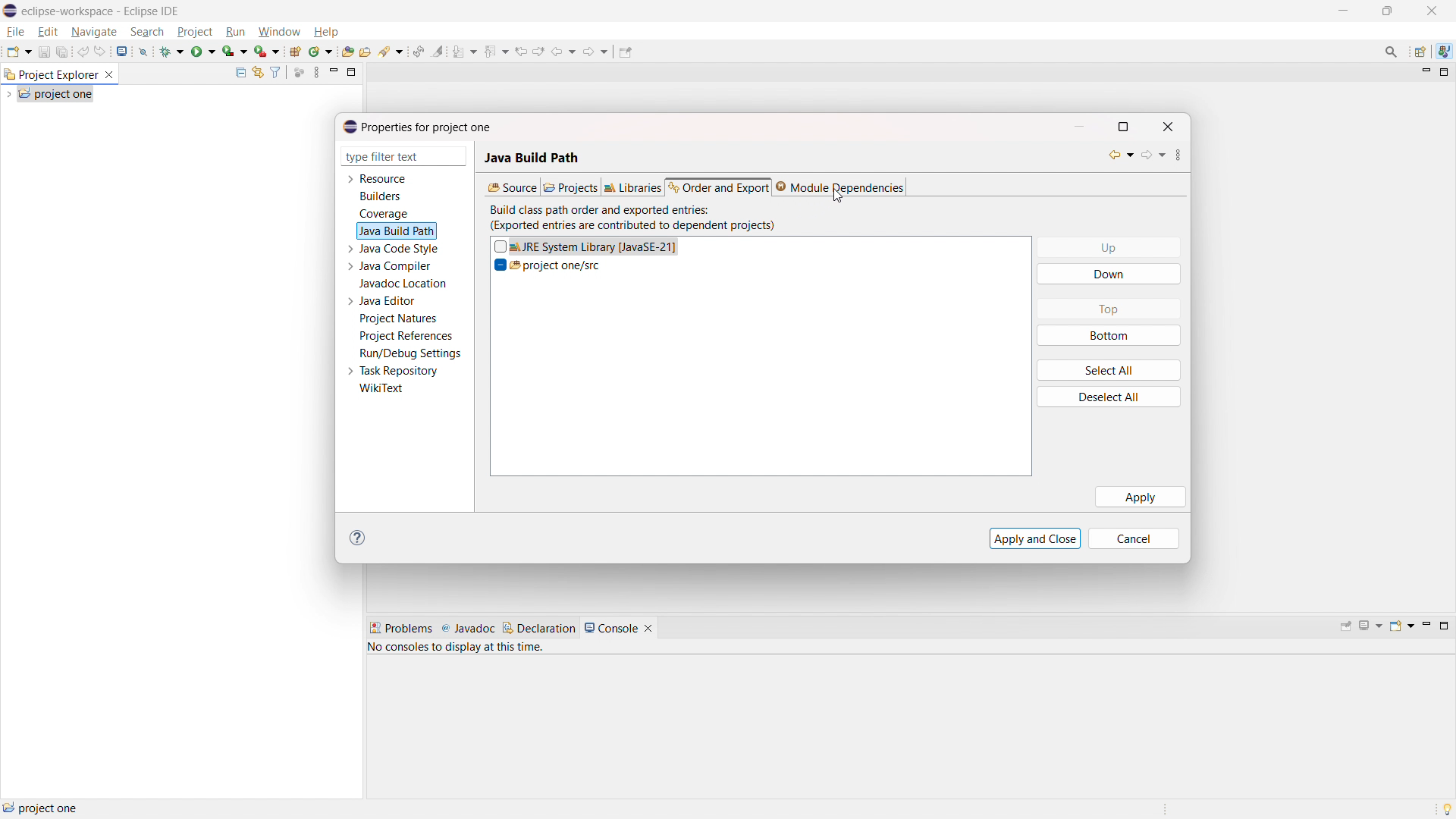  What do you see at coordinates (391, 52) in the screenshot?
I see `search` at bounding box center [391, 52].